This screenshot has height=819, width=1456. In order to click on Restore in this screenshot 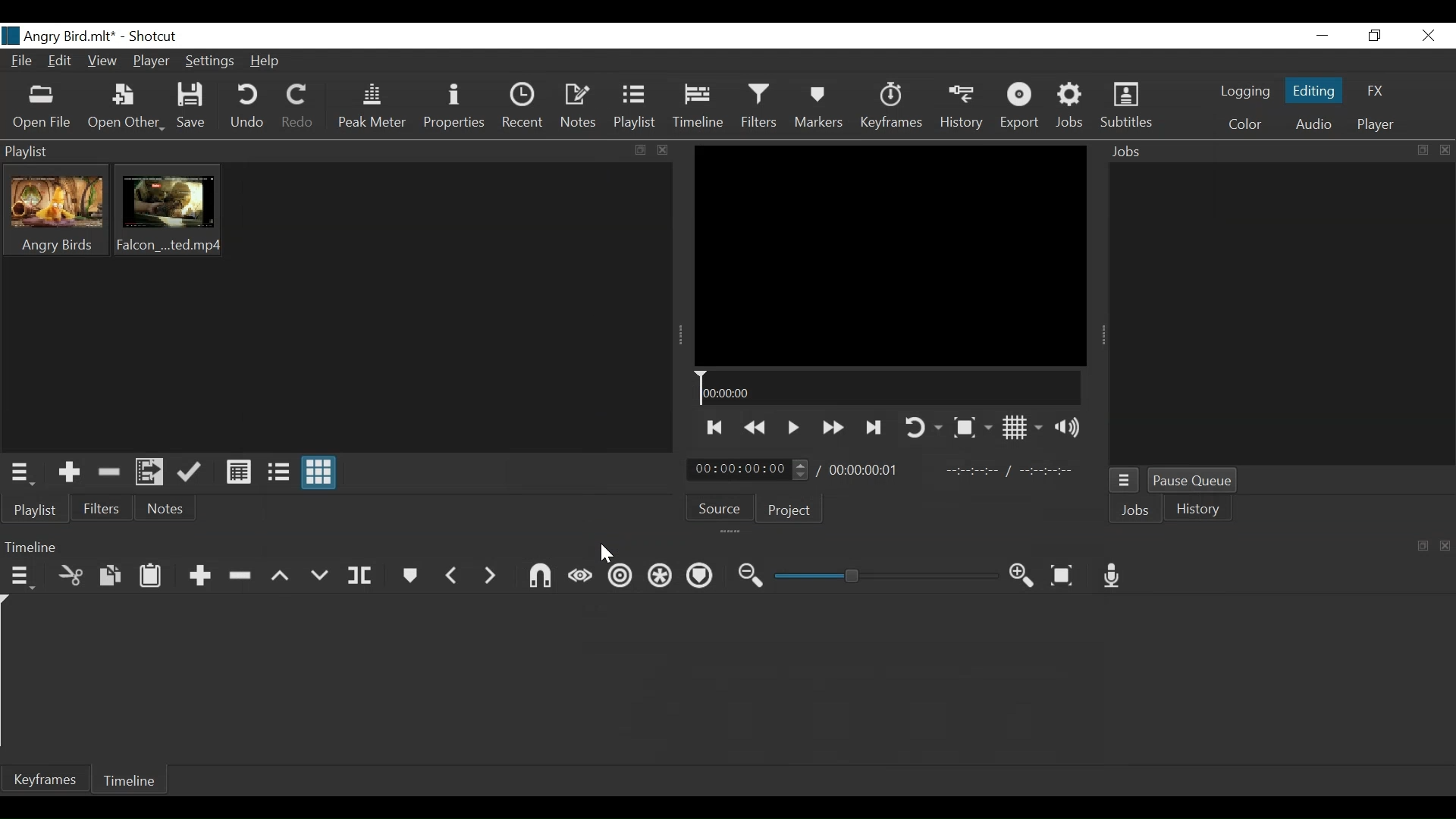, I will do `click(1373, 36)`.